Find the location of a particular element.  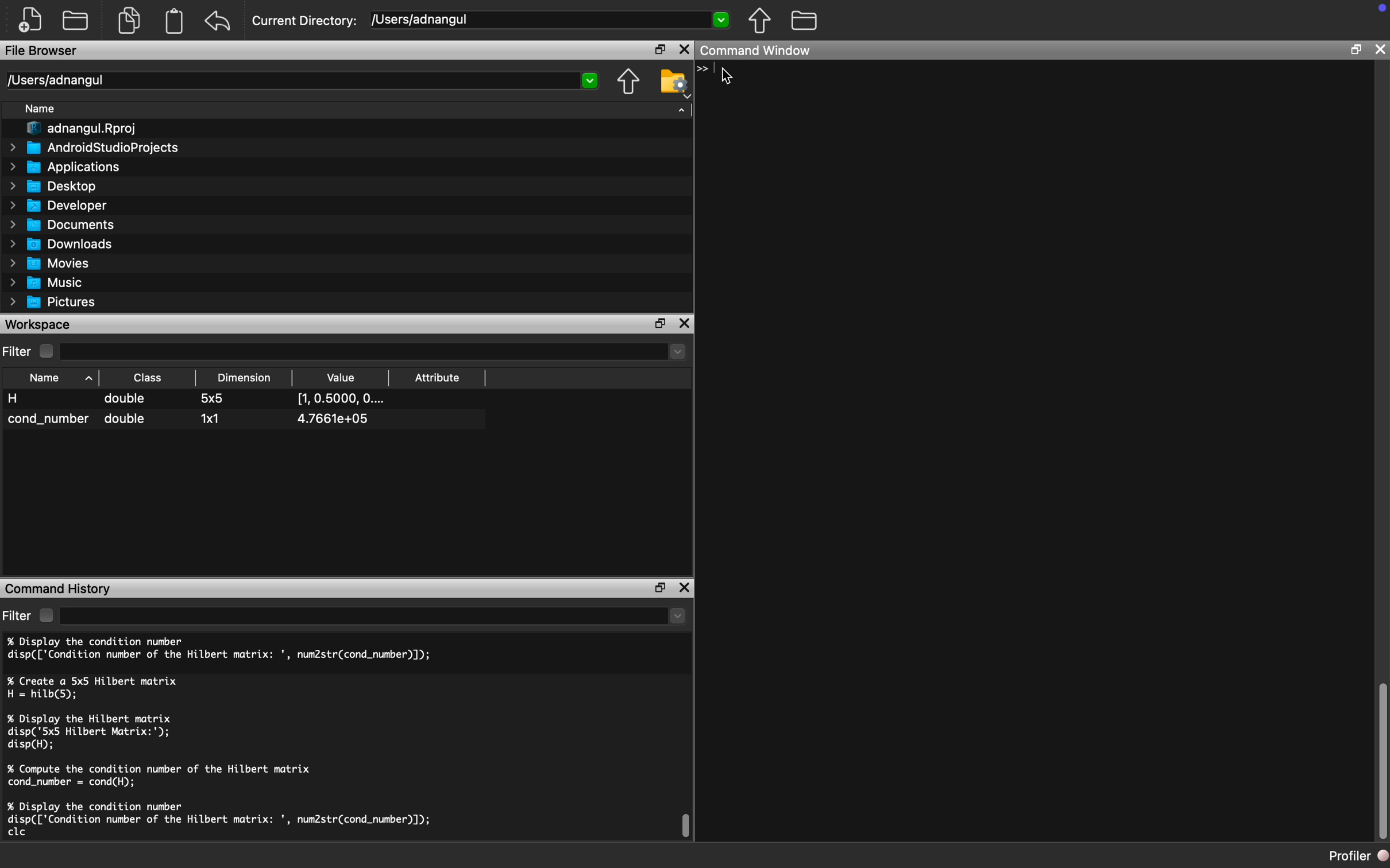

Parent Directory is located at coordinates (760, 21).